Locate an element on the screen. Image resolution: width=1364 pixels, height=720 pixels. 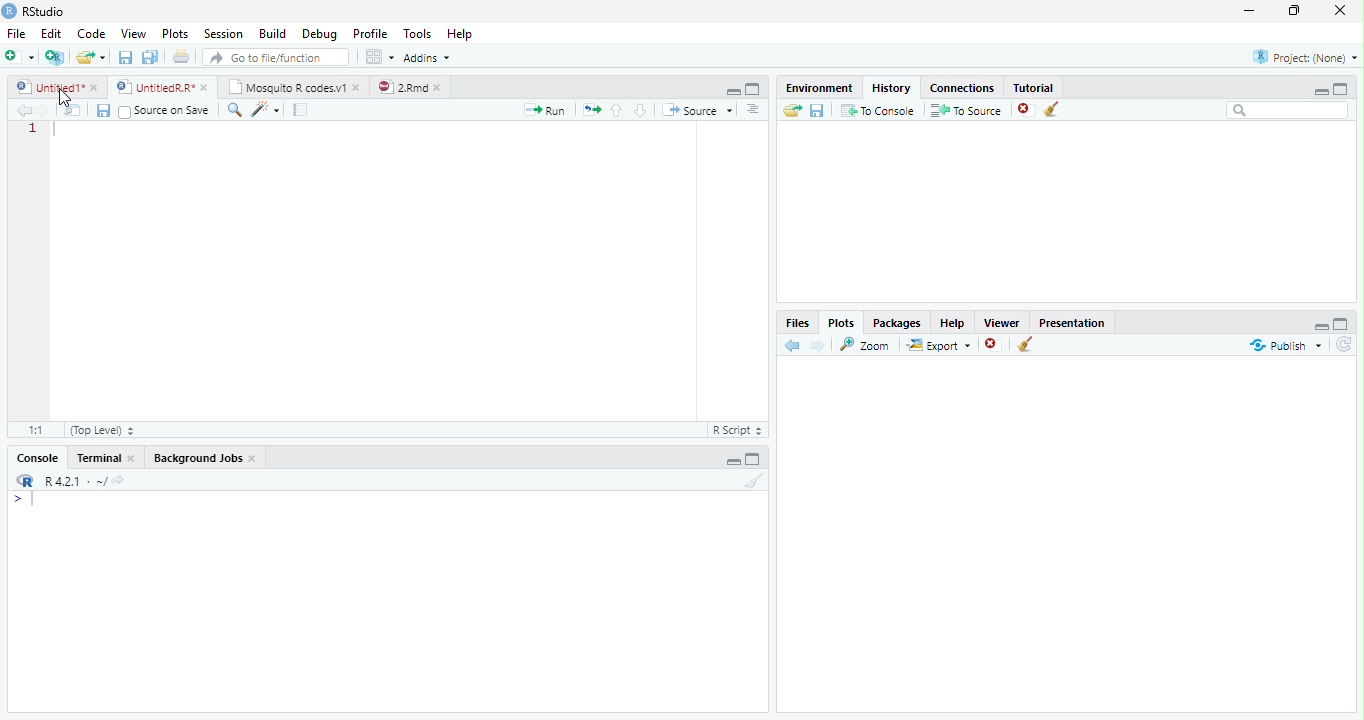
Tools is located at coordinates (416, 34).